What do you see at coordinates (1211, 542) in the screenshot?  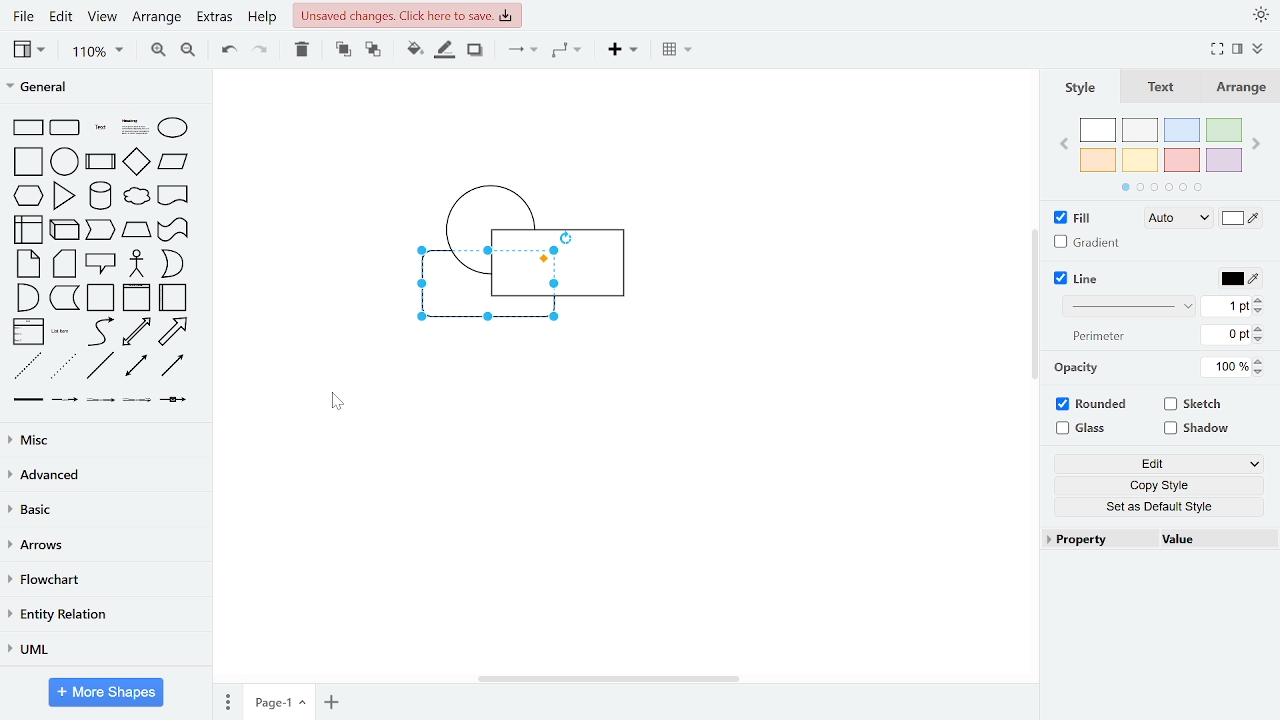 I see `value` at bounding box center [1211, 542].